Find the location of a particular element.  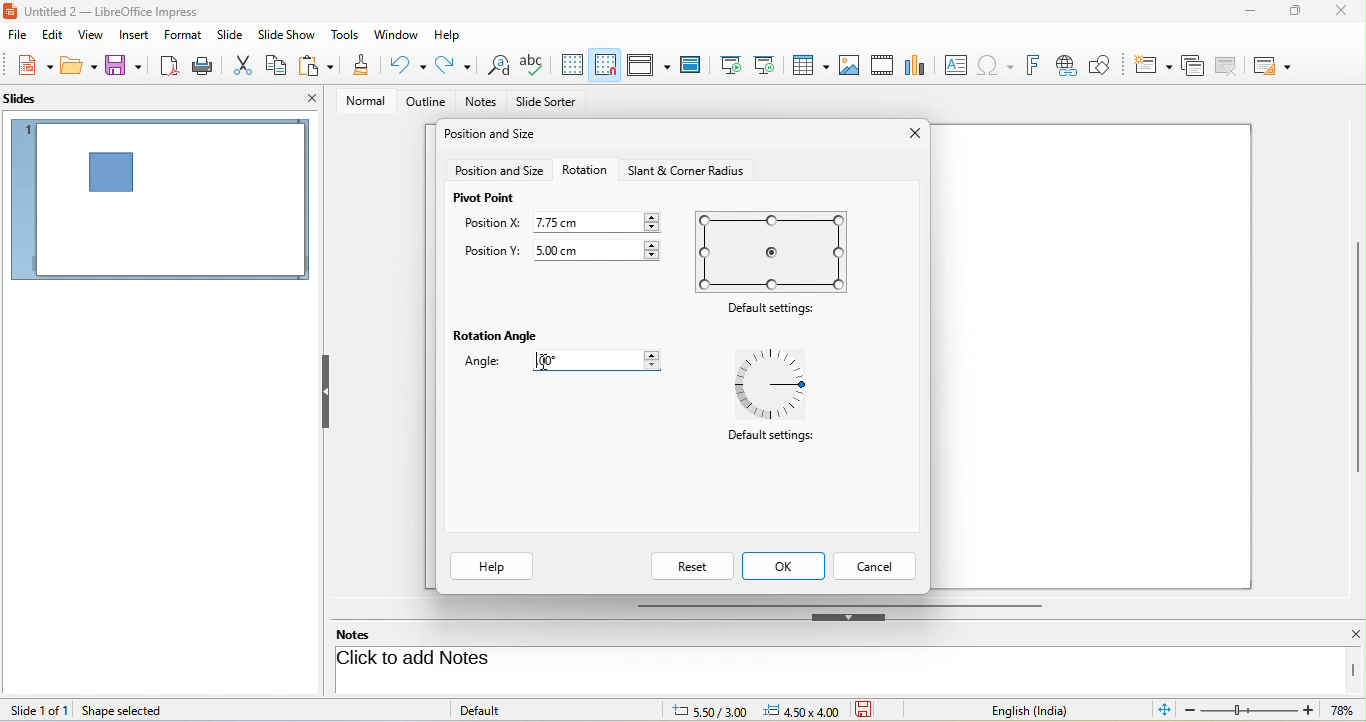

vertical scroll bar is located at coordinates (1354, 670).